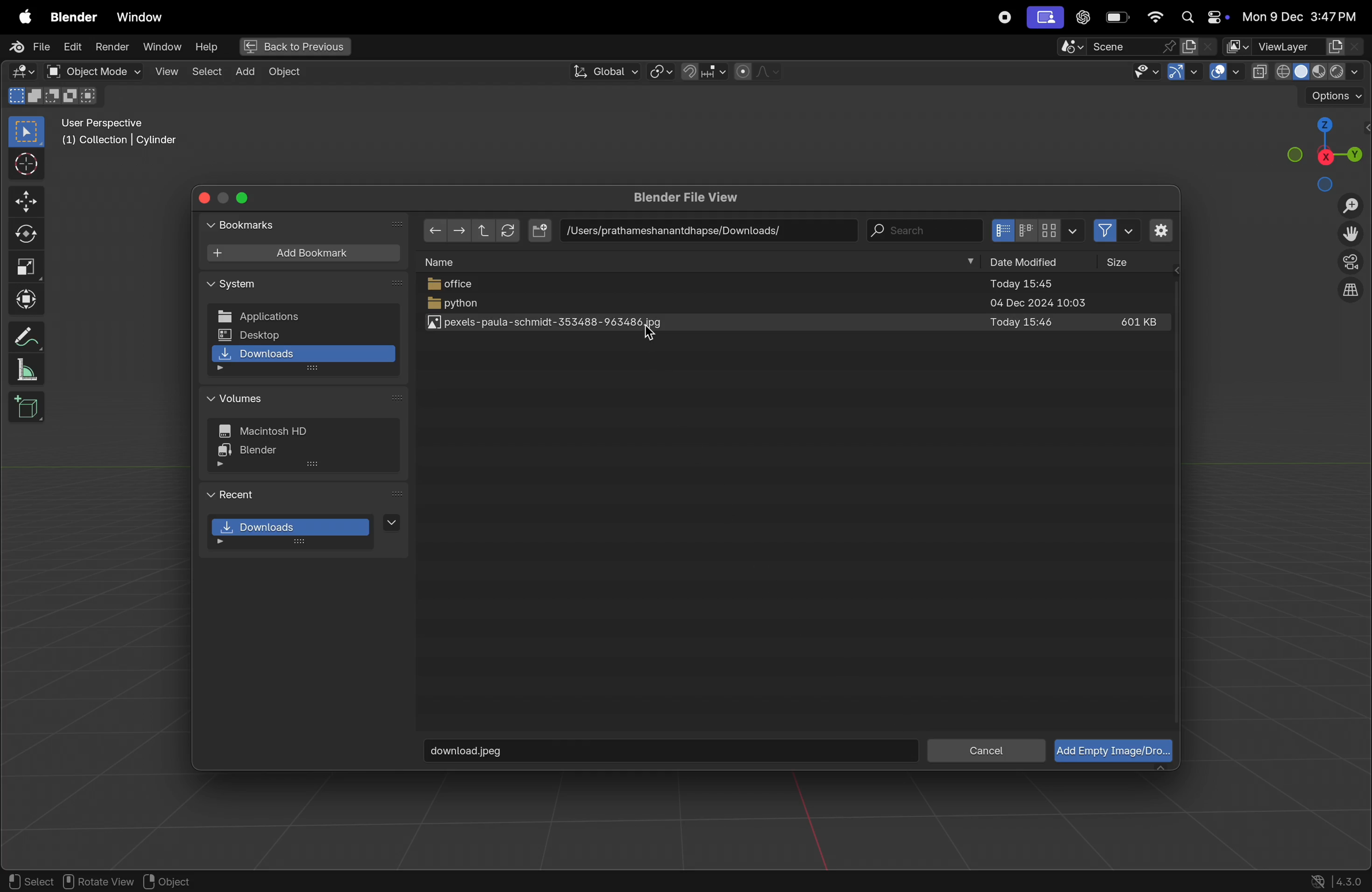  What do you see at coordinates (26, 72) in the screenshot?
I see `editortype` at bounding box center [26, 72].